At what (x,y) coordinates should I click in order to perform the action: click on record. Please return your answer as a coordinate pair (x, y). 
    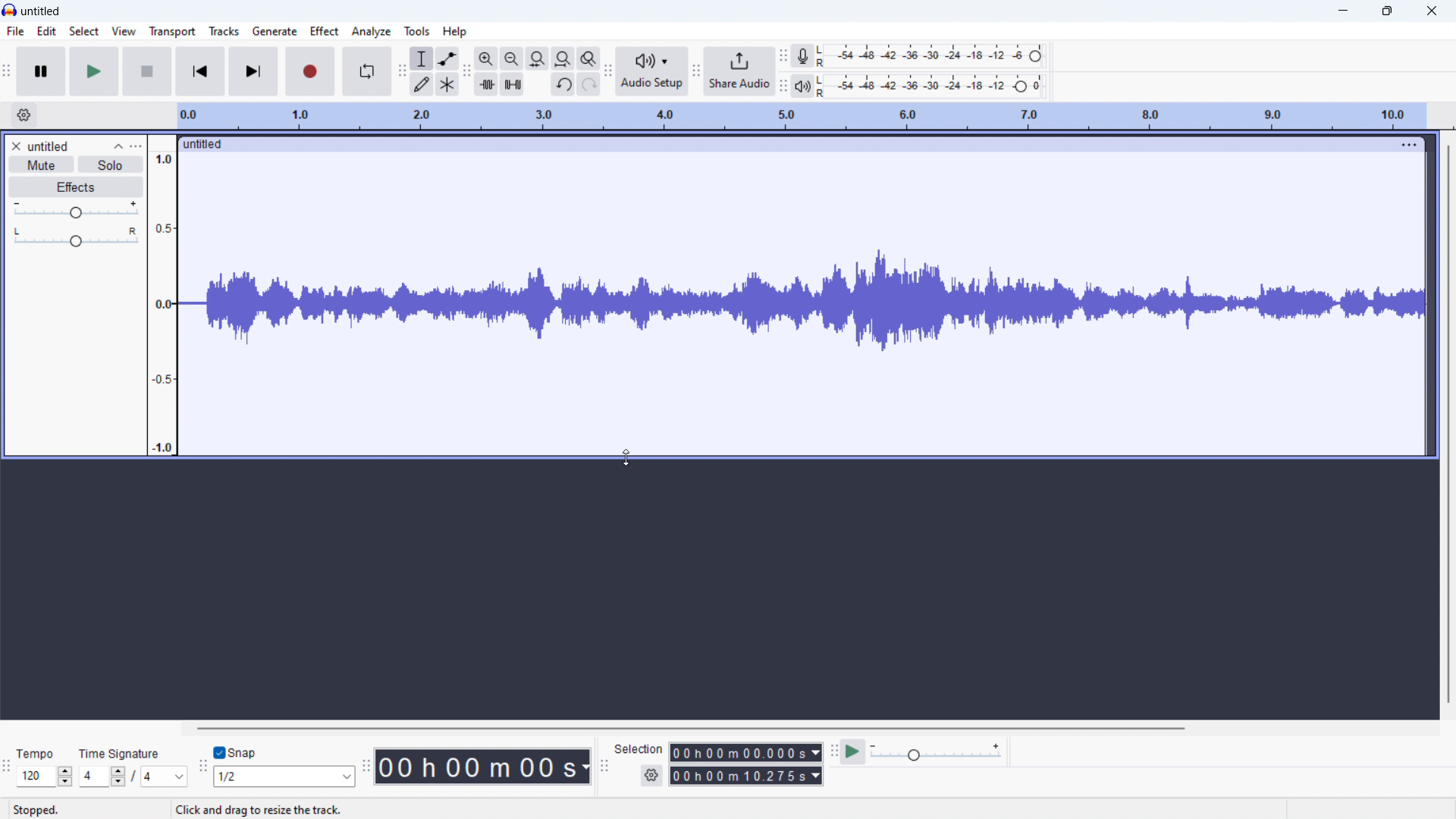
    Looking at the image, I should click on (309, 71).